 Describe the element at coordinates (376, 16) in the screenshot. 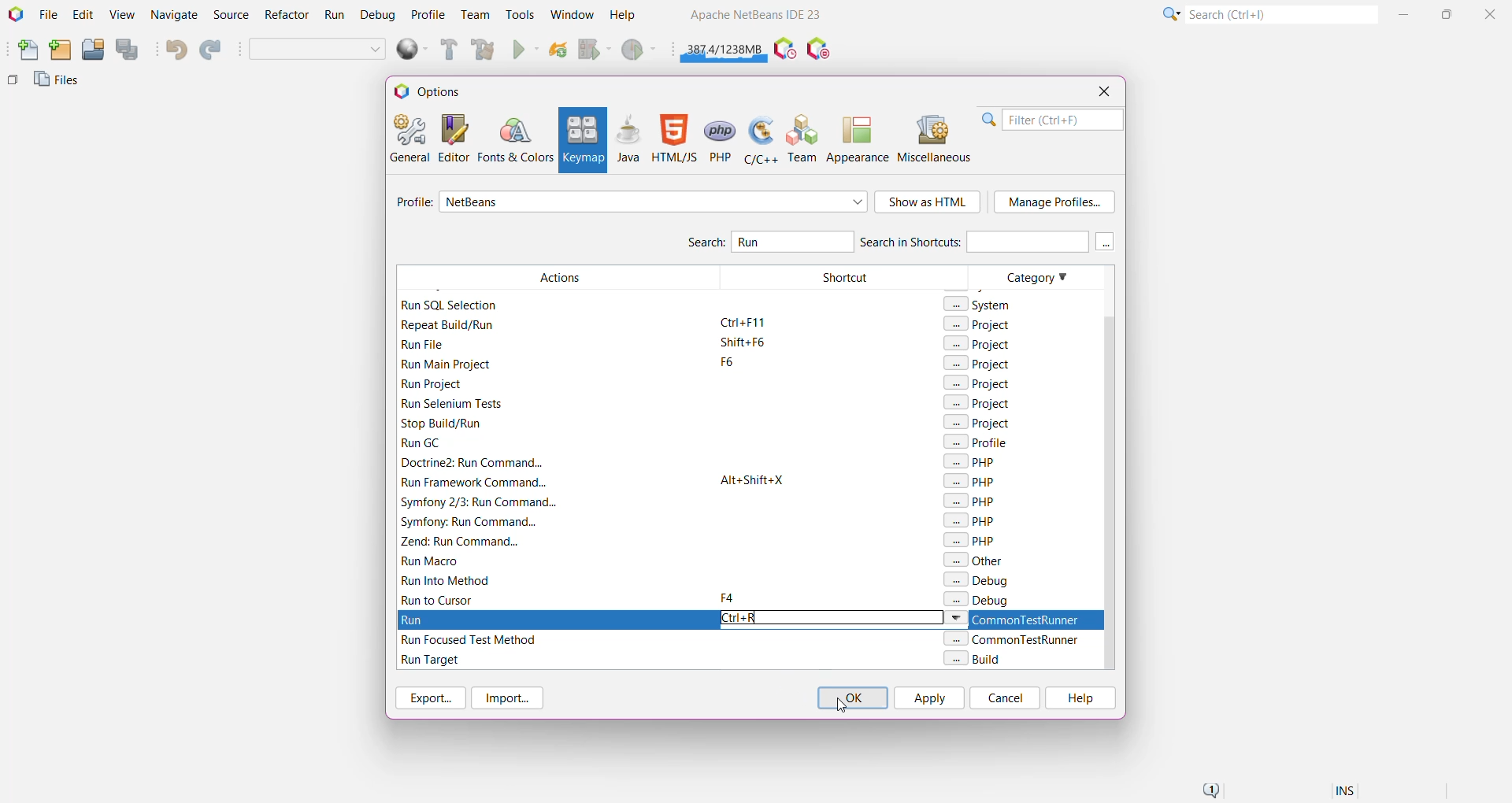

I see `Debug ` at that location.